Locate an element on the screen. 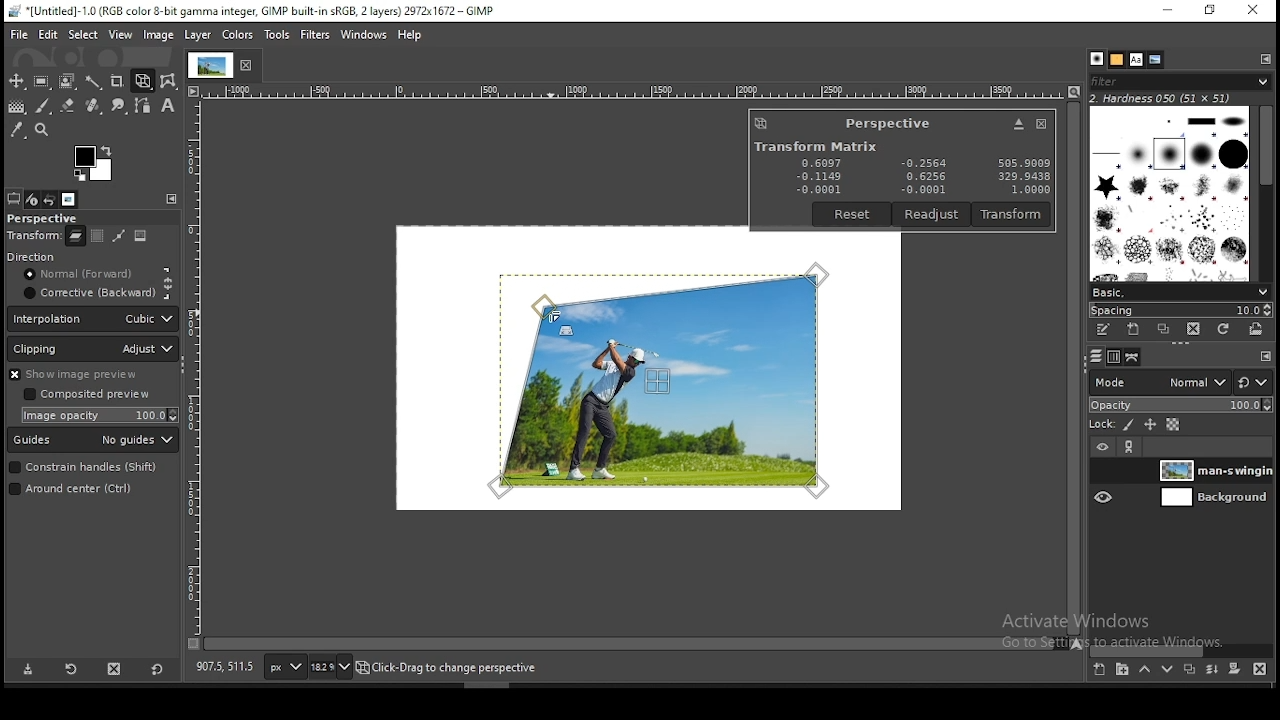  rectangular selection tool is located at coordinates (44, 82).